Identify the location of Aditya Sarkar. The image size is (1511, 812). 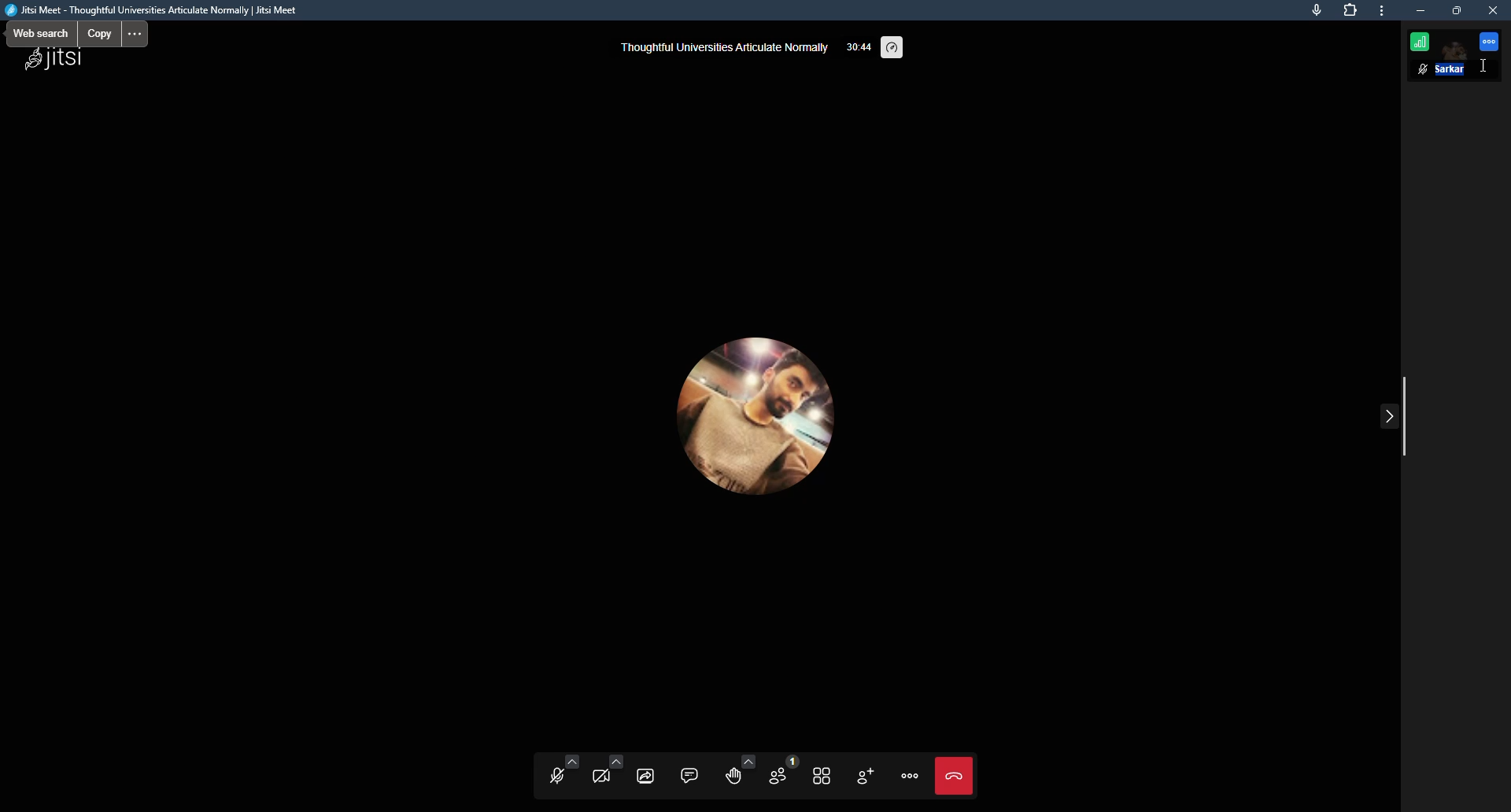
(1465, 73).